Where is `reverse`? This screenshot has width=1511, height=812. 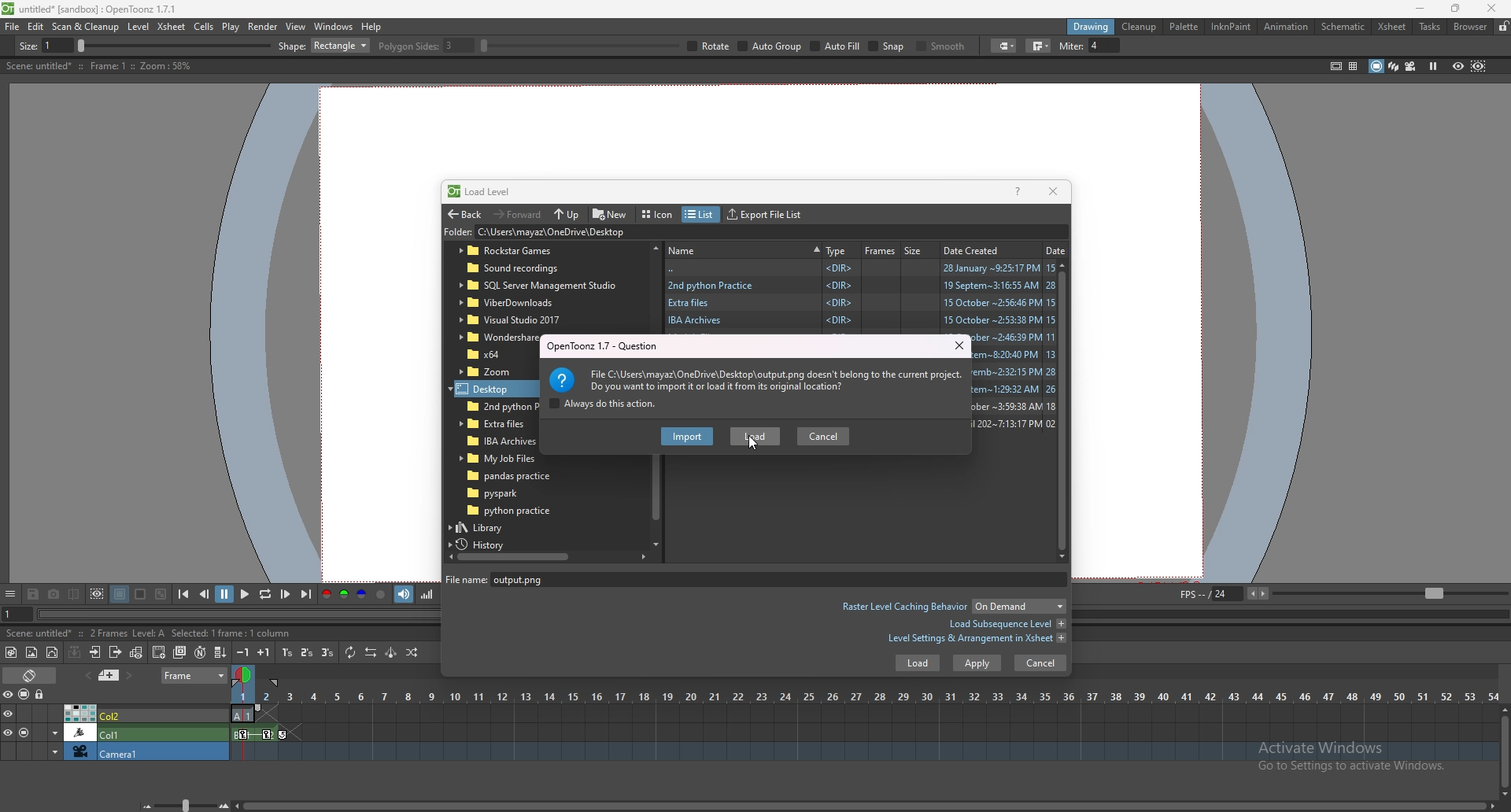 reverse is located at coordinates (371, 652).